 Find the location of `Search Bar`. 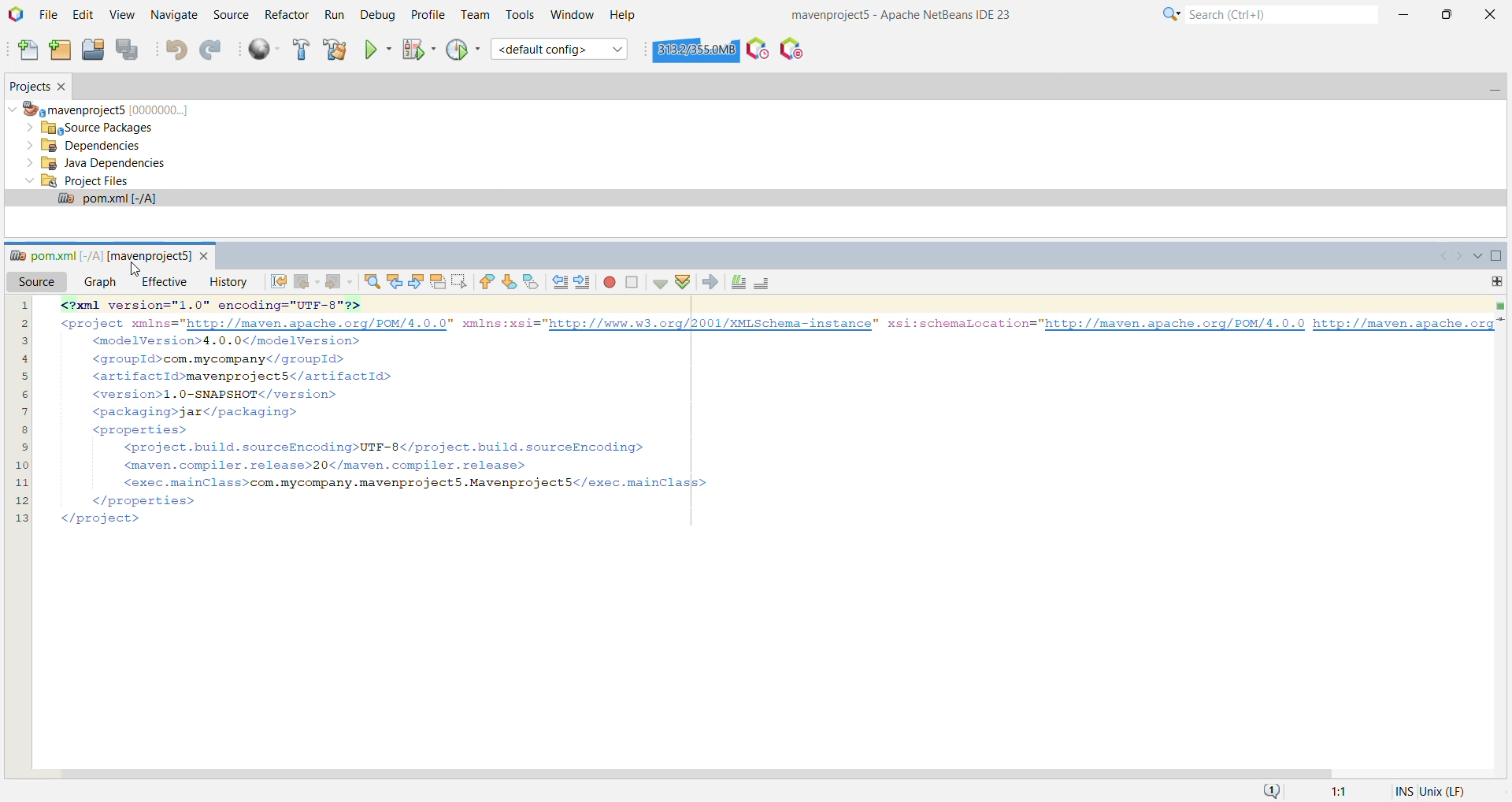

Search Bar is located at coordinates (1262, 13).